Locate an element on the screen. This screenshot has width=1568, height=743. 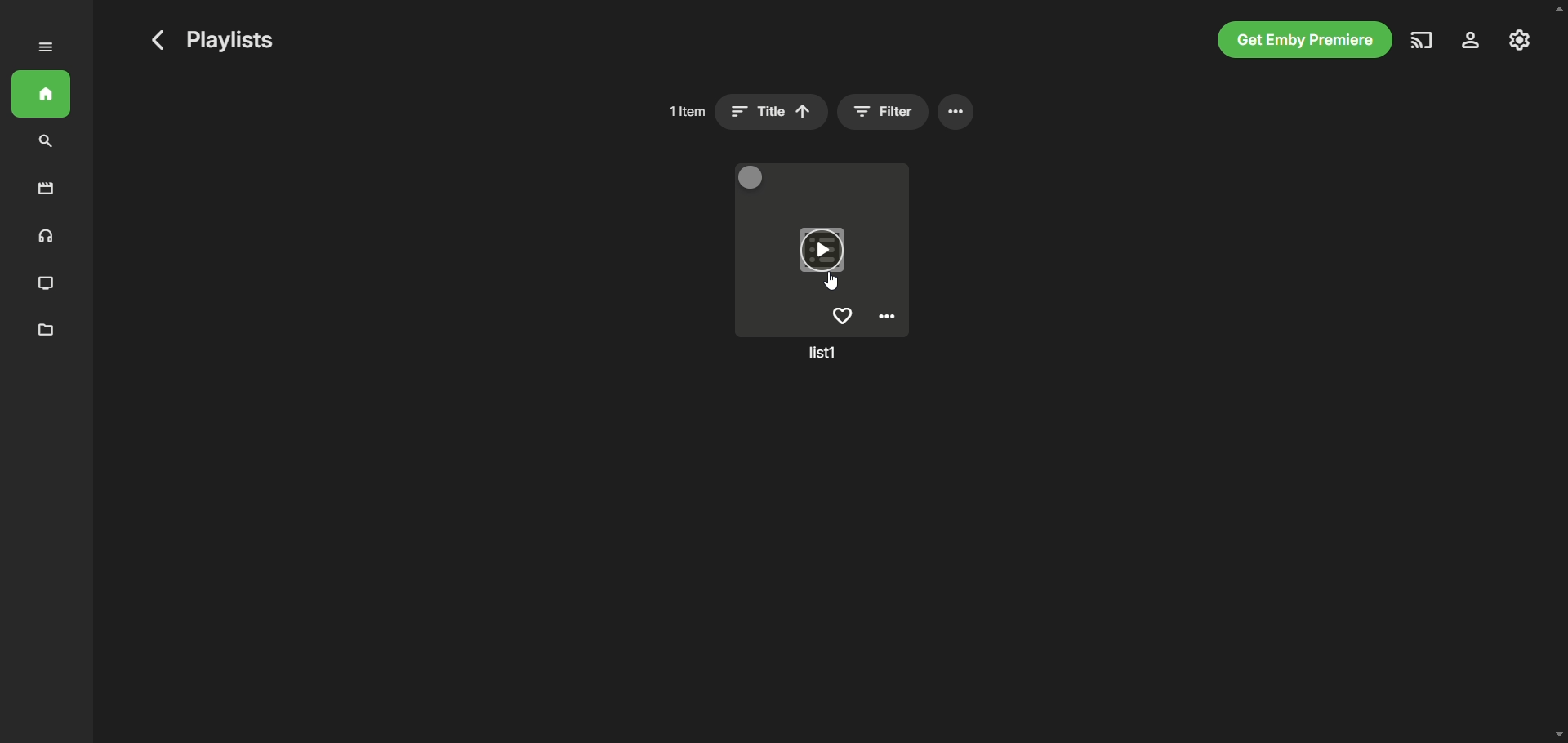
movies is located at coordinates (47, 189).